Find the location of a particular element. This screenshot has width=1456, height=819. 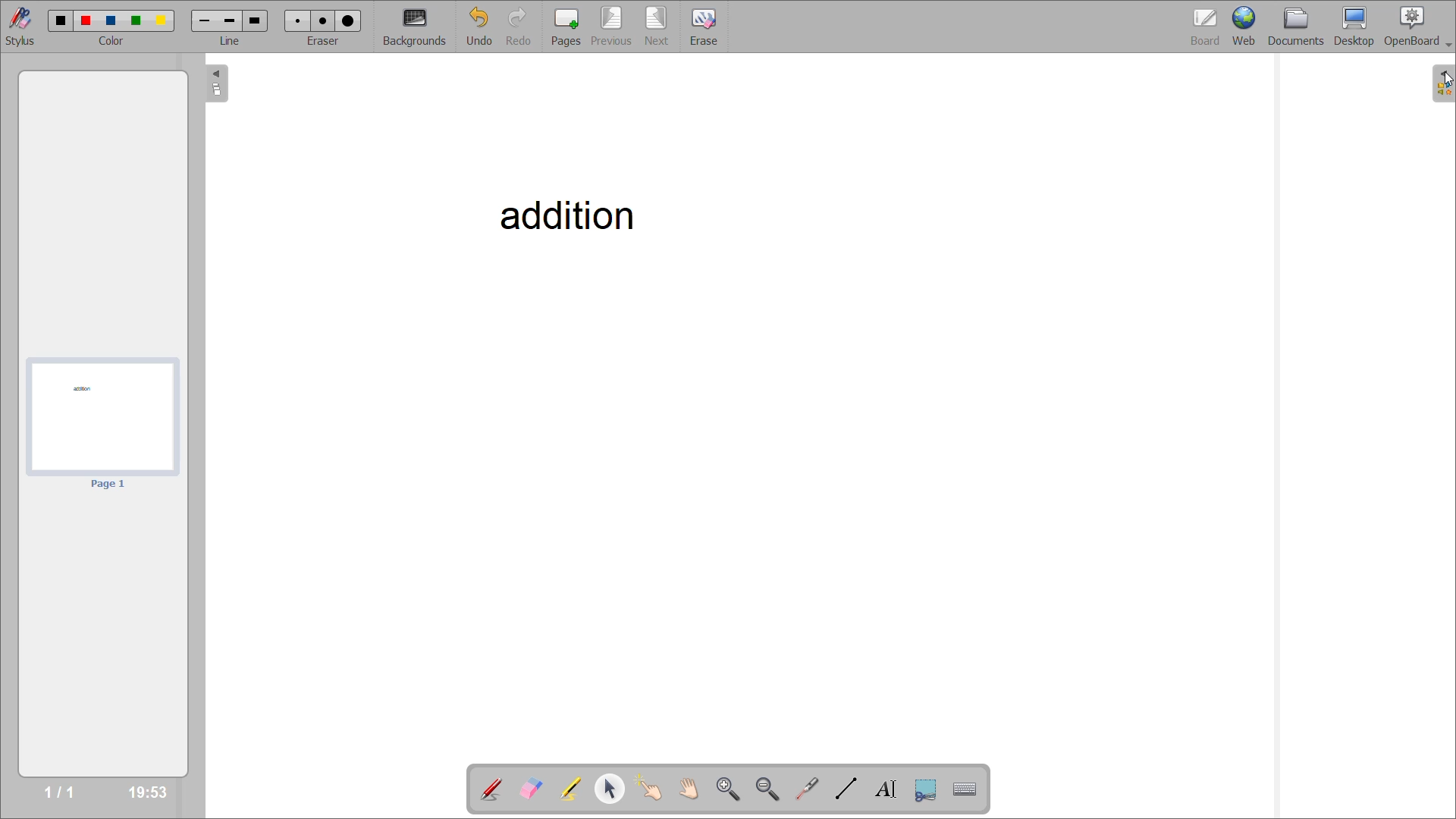

zoom out is located at coordinates (767, 786).